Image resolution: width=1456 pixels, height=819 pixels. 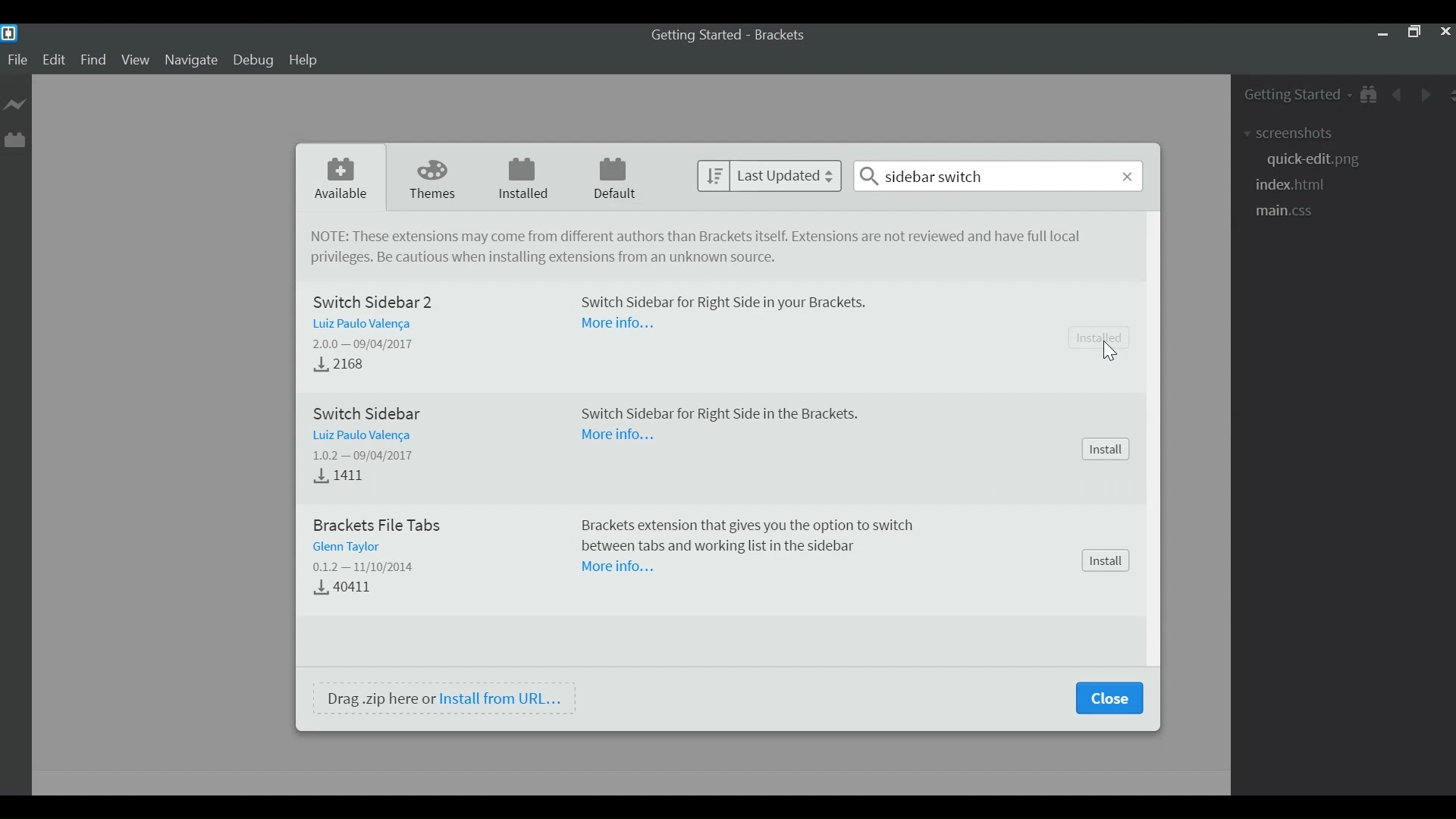 I want to click on Install, so click(x=1106, y=562).